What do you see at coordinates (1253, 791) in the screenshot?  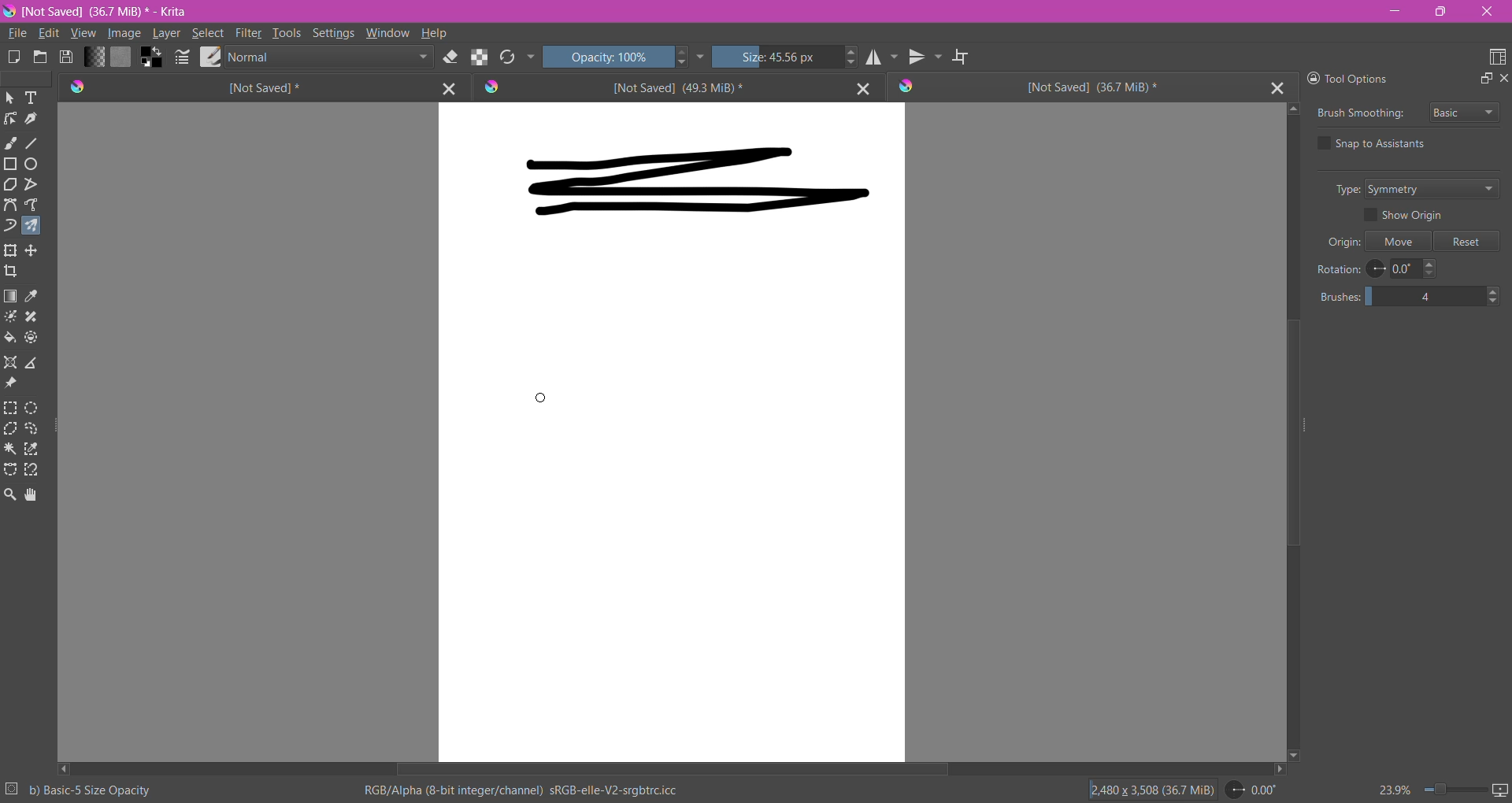 I see `Set Rotation Level` at bounding box center [1253, 791].